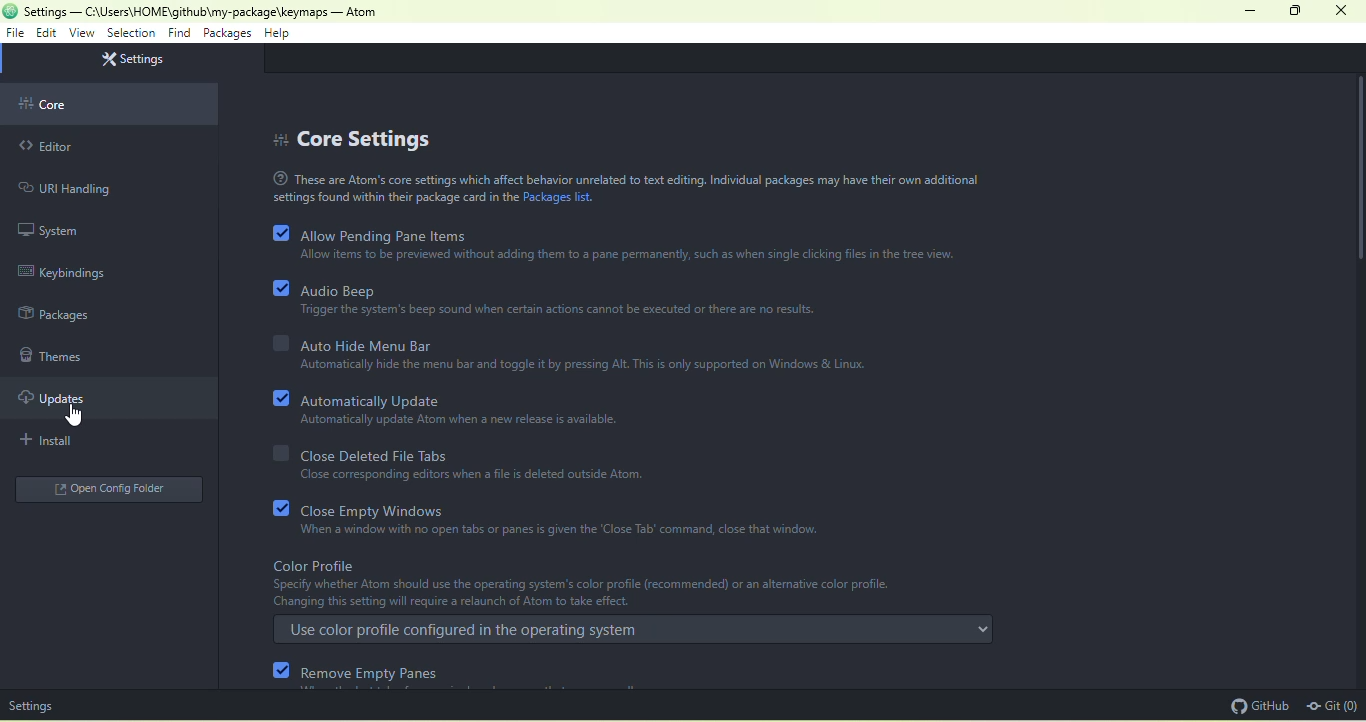 Image resolution: width=1366 pixels, height=722 pixels. What do you see at coordinates (604, 368) in the screenshot?
I see `text on auto hide menu bar` at bounding box center [604, 368].